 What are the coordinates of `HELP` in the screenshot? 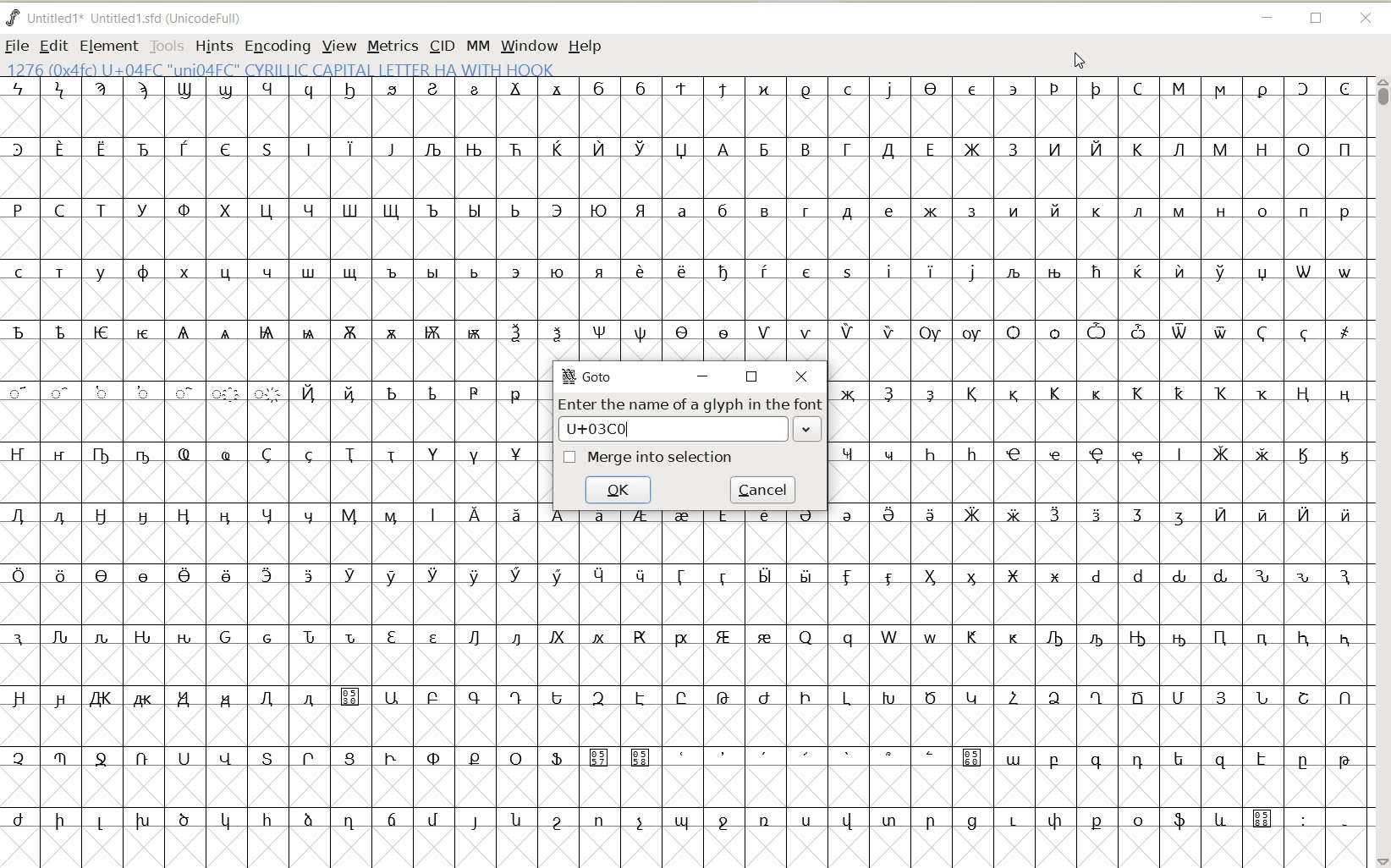 It's located at (587, 45).